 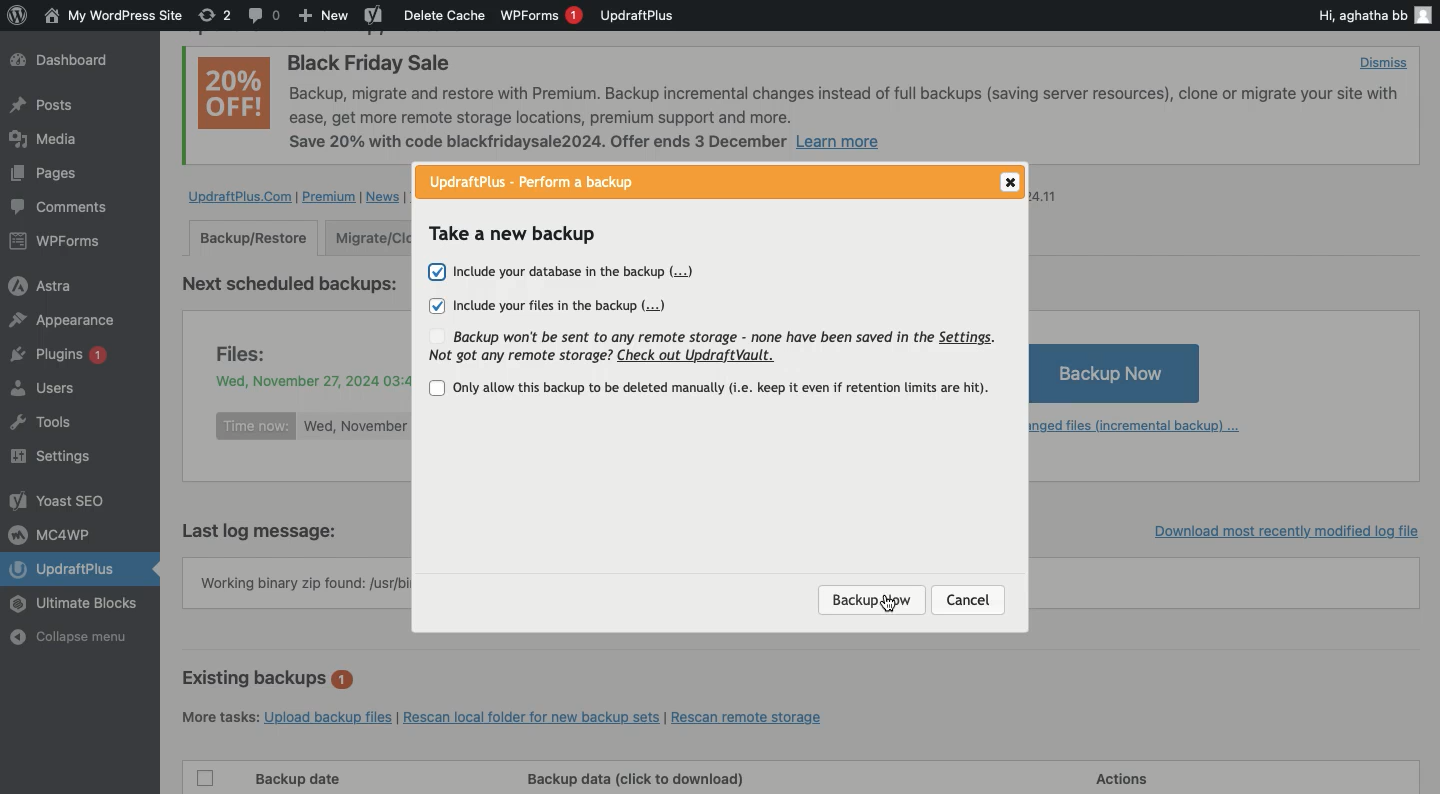 What do you see at coordinates (270, 680) in the screenshot?
I see `Existing backups 1` at bounding box center [270, 680].